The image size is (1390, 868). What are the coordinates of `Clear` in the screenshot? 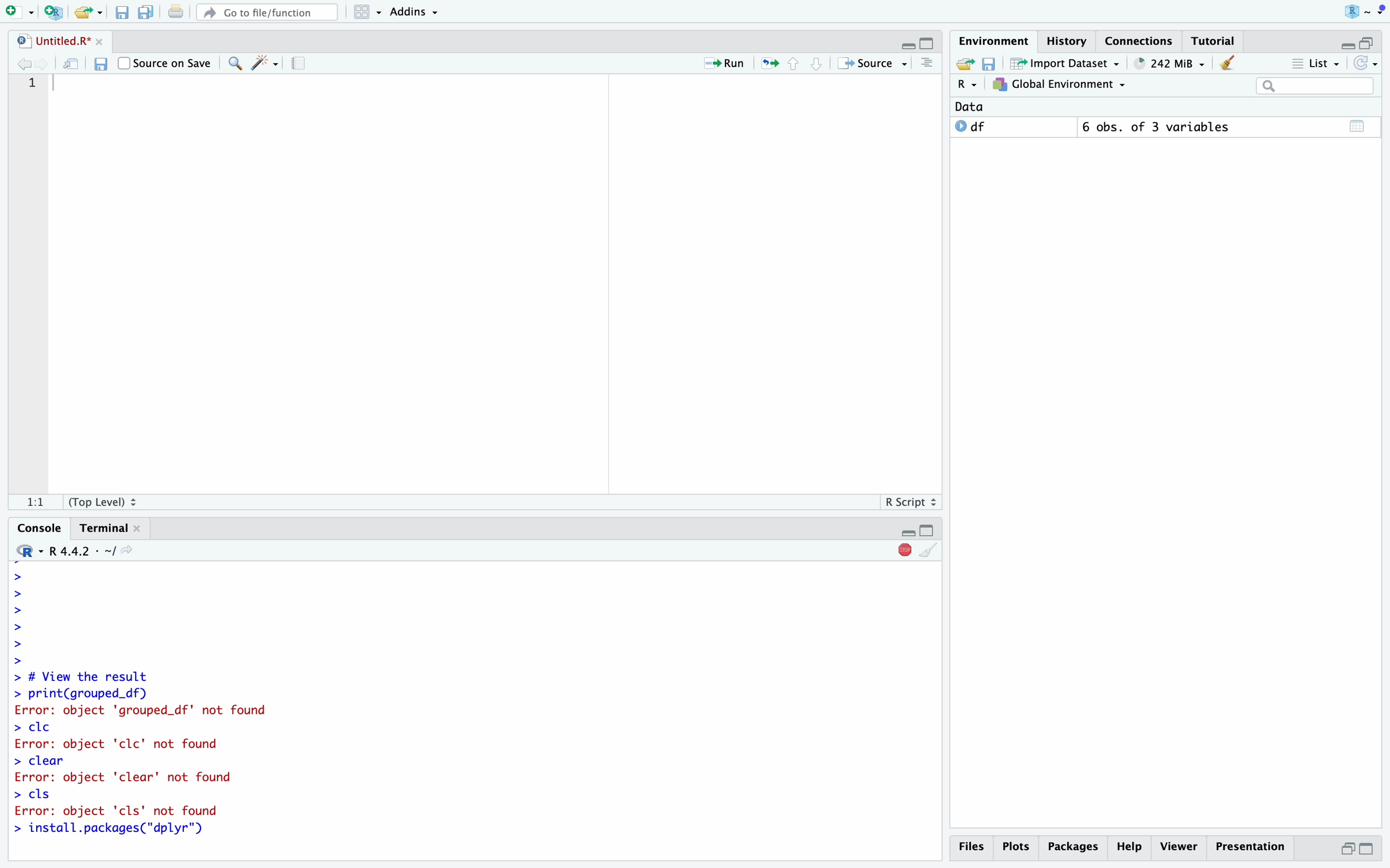 It's located at (926, 550).